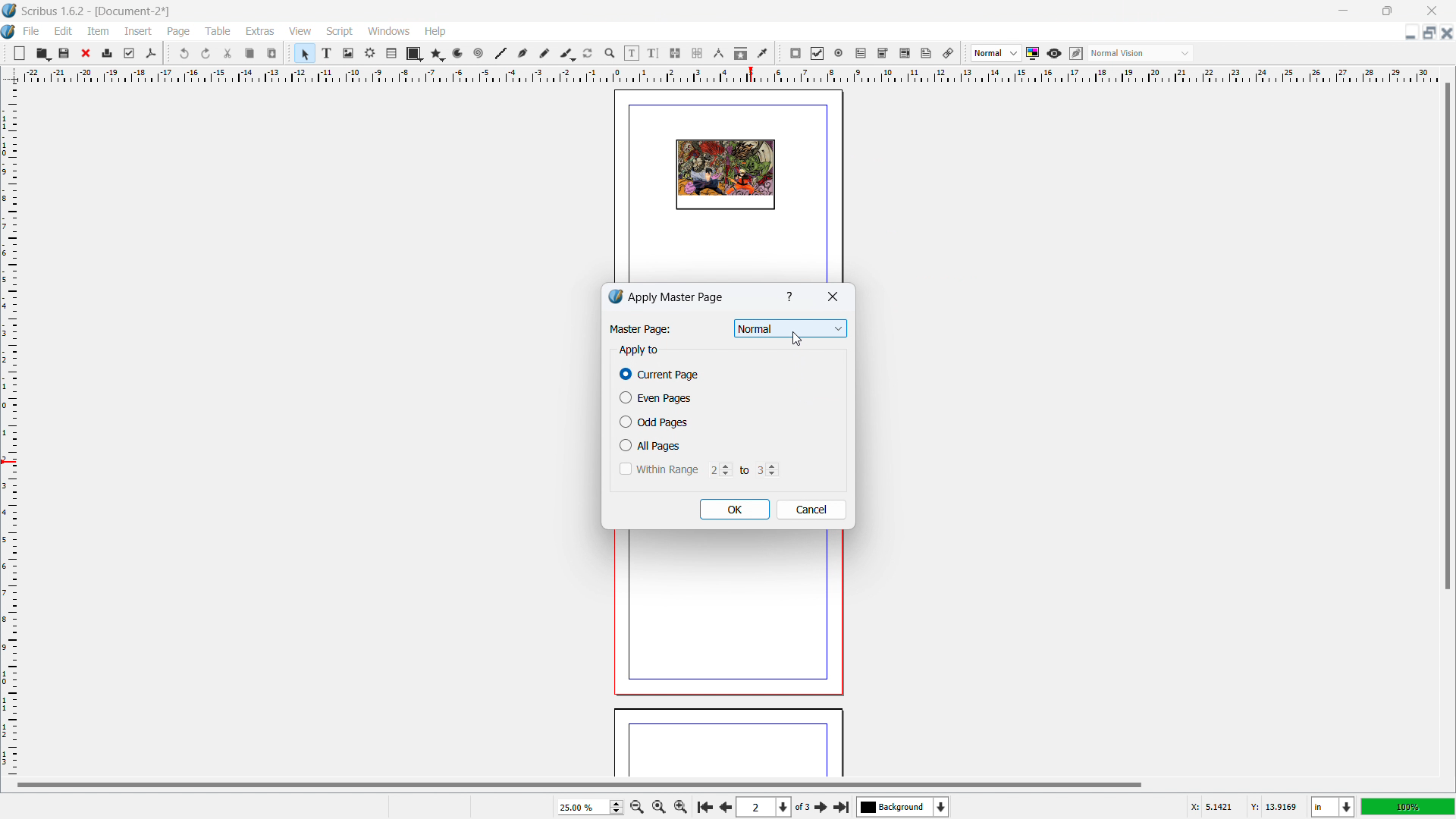 This screenshot has width=1456, height=819. What do you see at coordinates (654, 422) in the screenshot?
I see `odd pages checkbox` at bounding box center [654, 422].